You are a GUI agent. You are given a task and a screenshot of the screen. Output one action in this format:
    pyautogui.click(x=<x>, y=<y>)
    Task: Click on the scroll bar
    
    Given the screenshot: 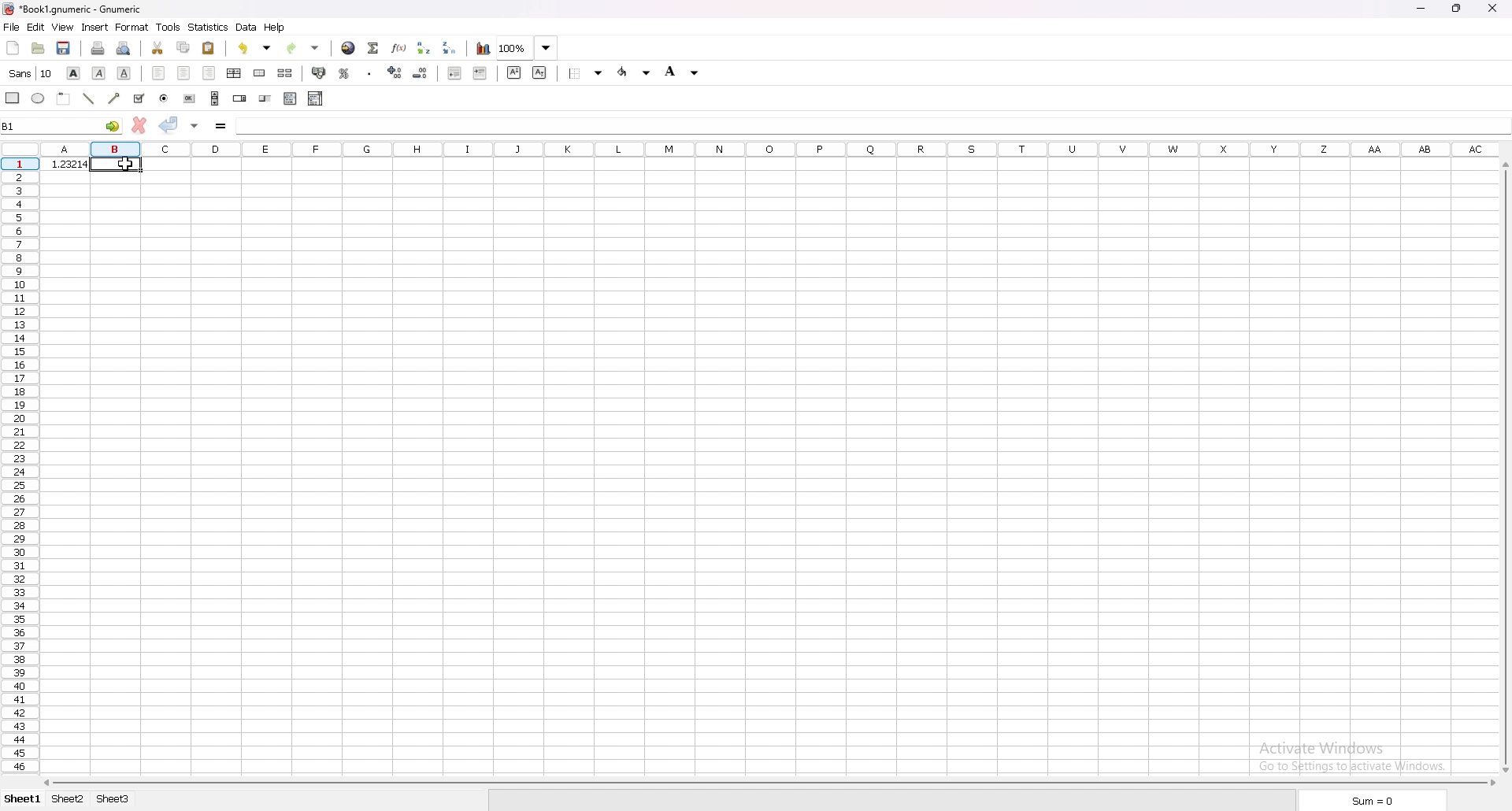 What is the action you would take?
    pyautogui.click(x=1503, y=466)
    